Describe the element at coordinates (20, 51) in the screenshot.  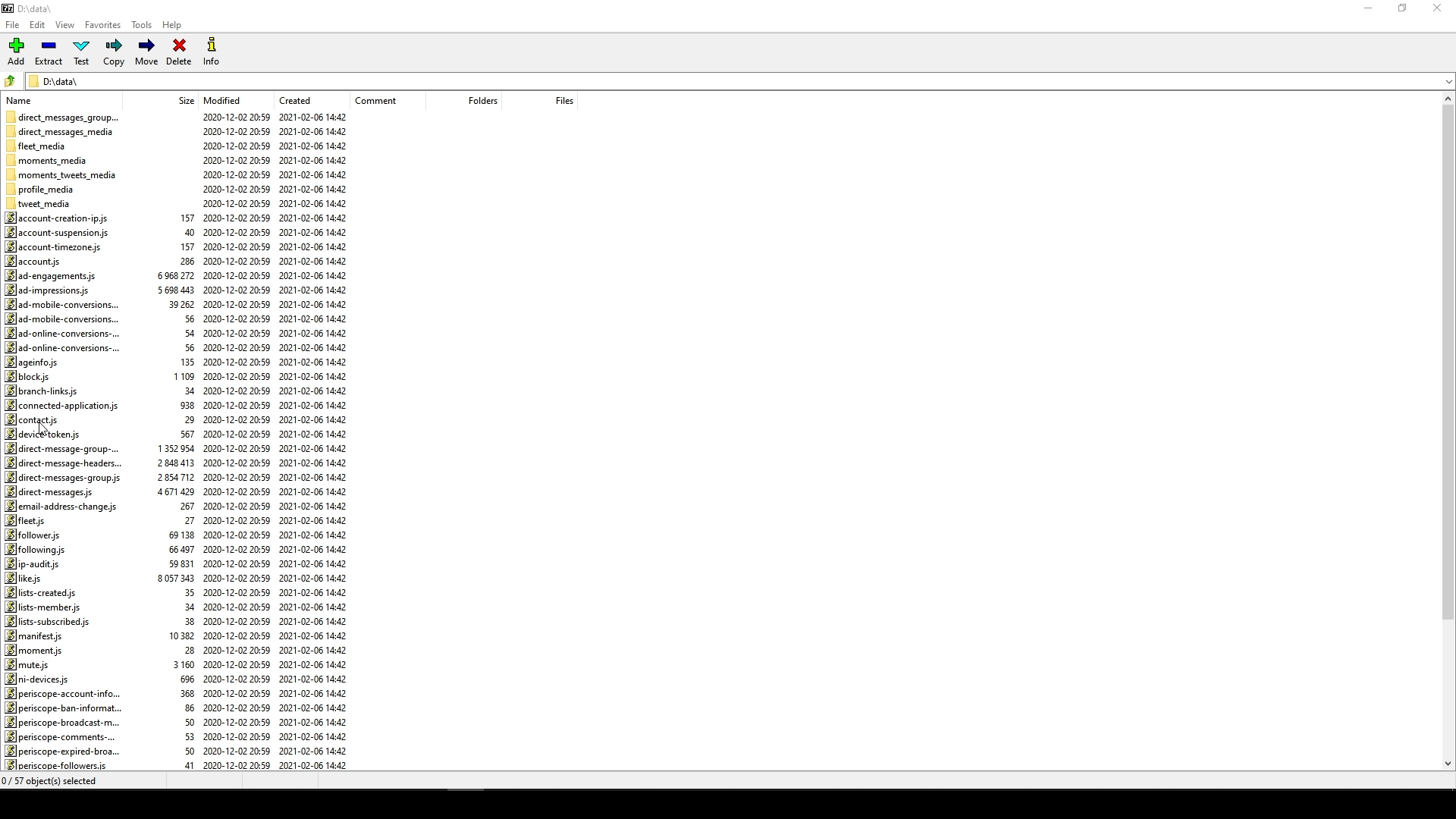
I see `Add` at that location.